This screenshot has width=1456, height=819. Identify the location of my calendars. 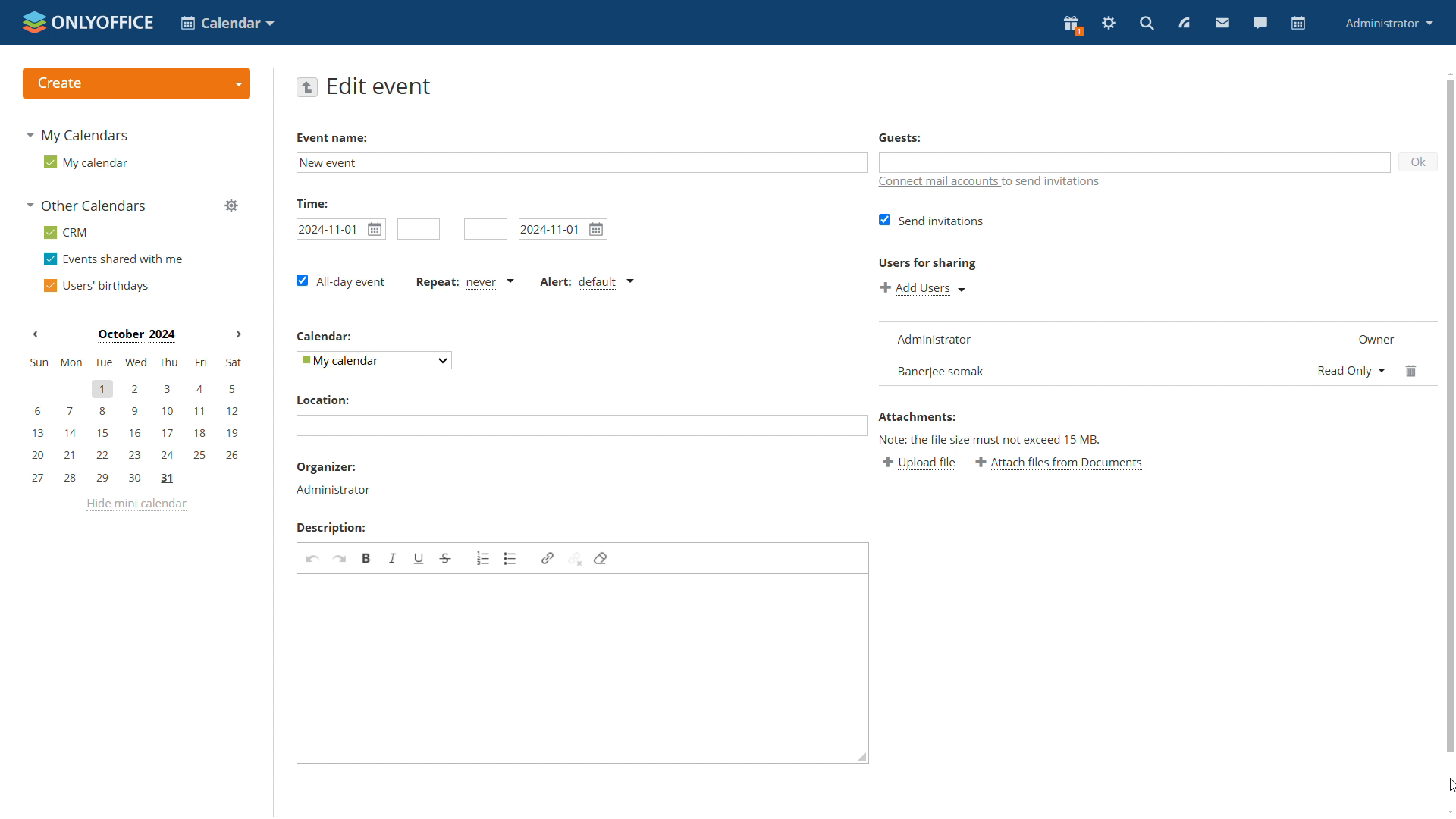
(83, 137).